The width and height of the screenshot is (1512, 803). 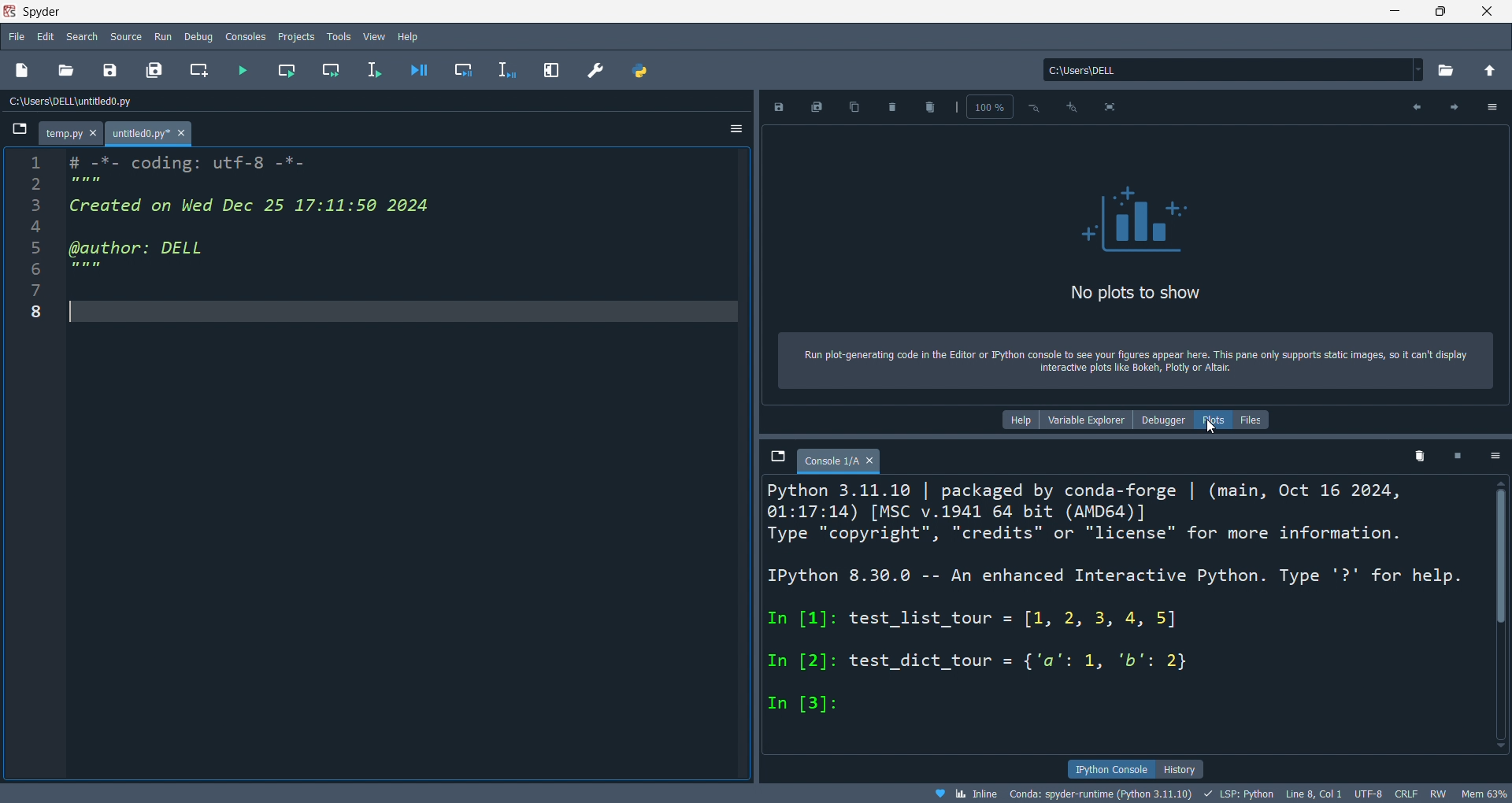 I want to click on preference, so click(x=595, y=69).